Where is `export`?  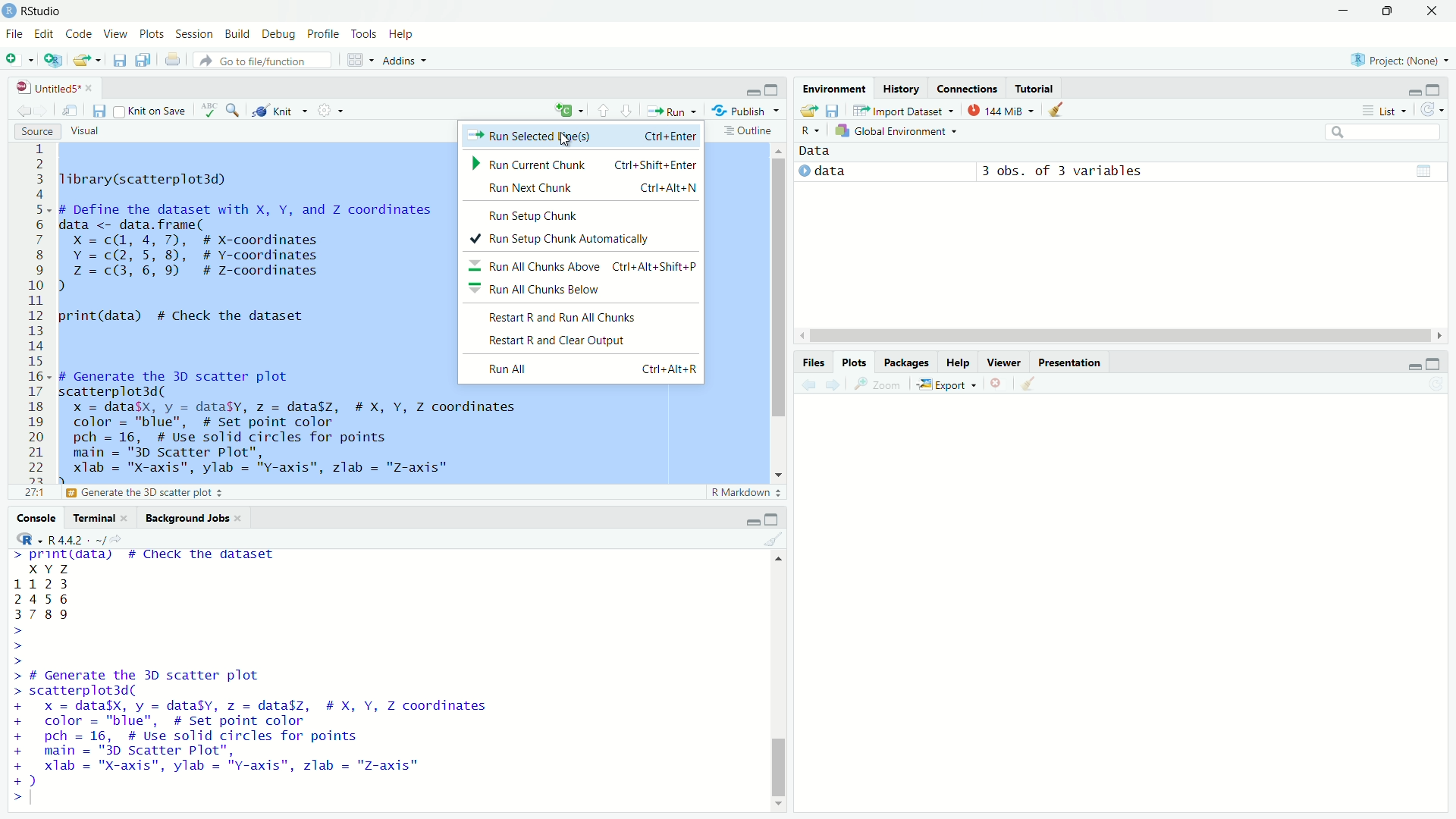 export is located at coordinates (946, 383).